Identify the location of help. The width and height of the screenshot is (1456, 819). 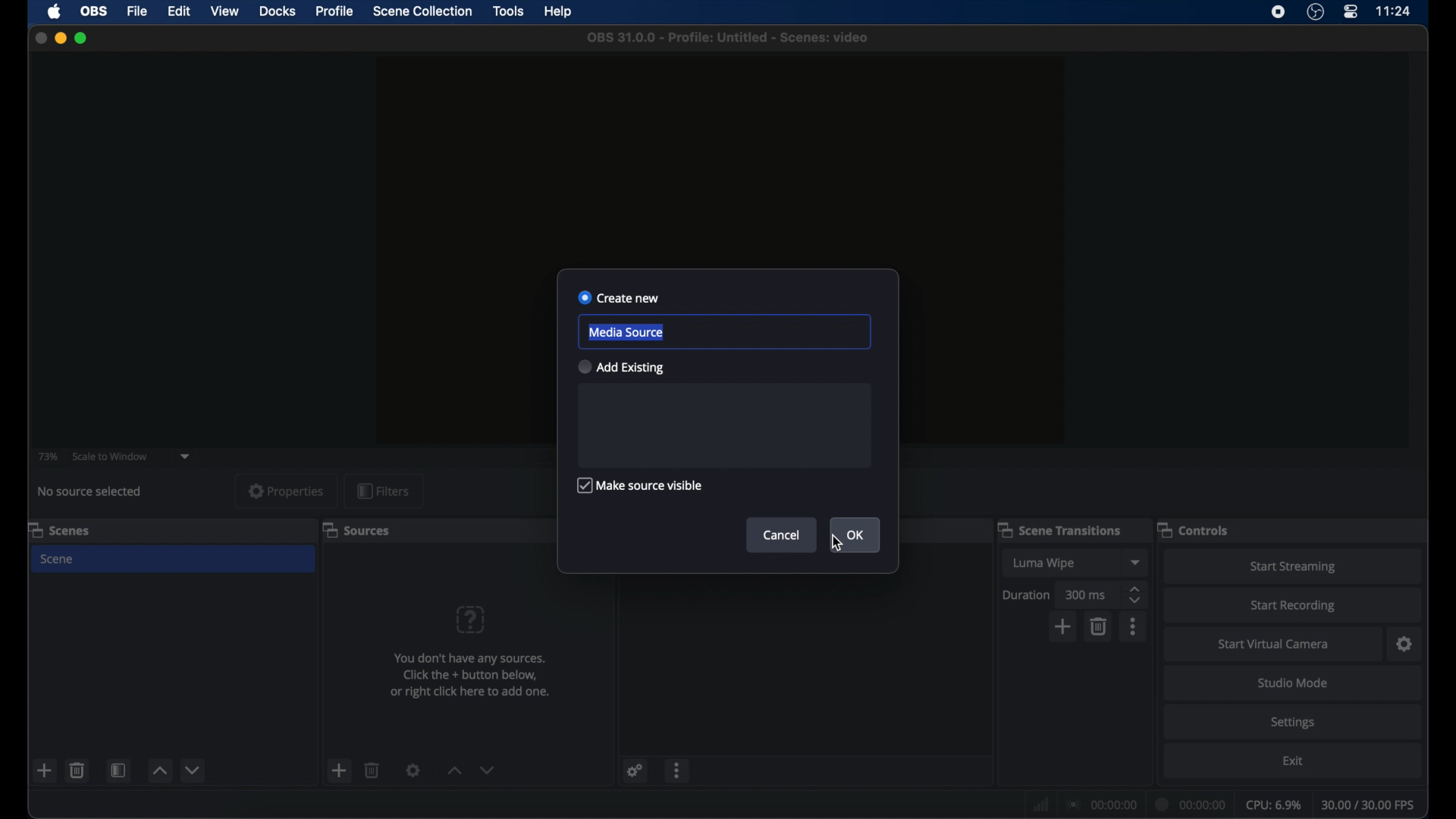
(559, 11).